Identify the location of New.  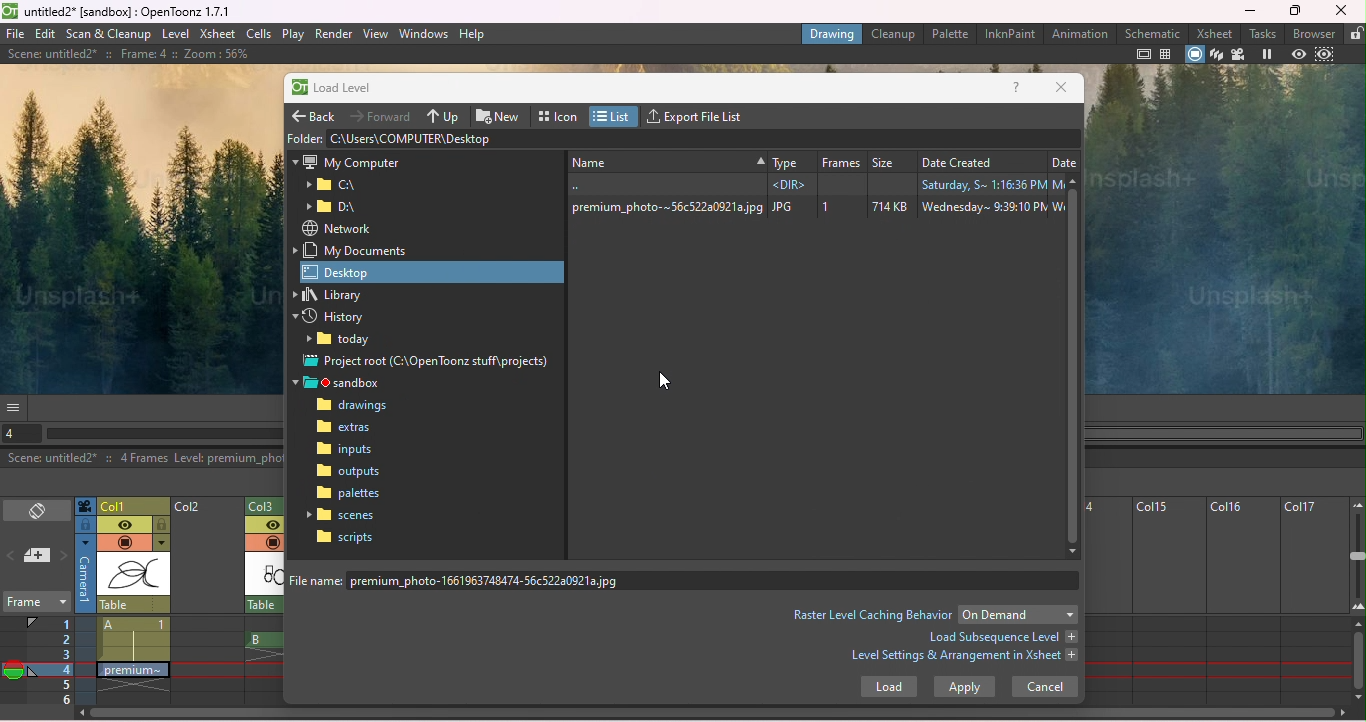
(665, 160).